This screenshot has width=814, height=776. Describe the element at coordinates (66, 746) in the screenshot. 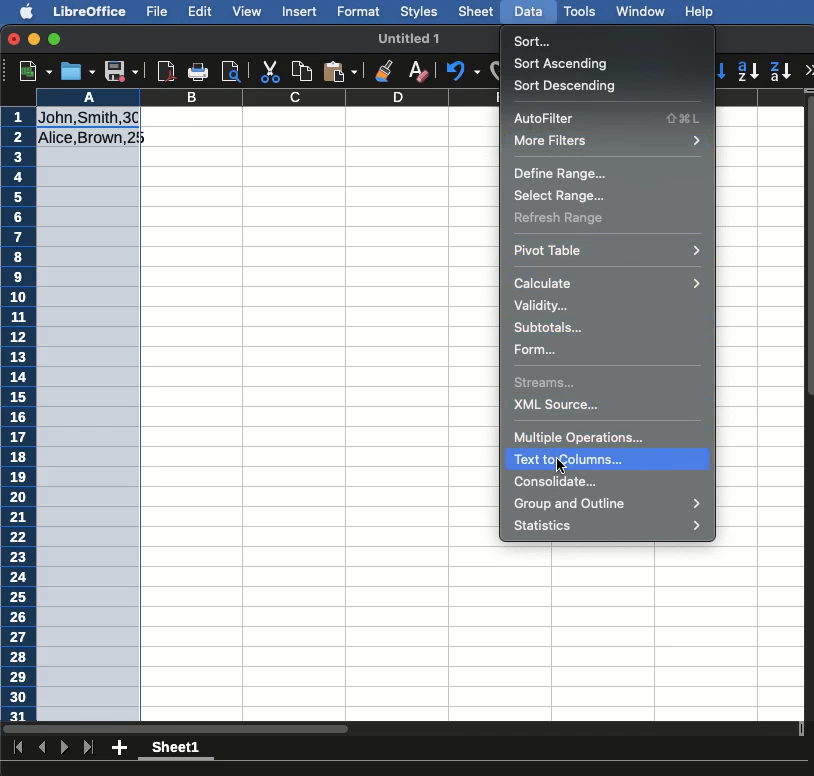

I see `Next sheet` at that location.